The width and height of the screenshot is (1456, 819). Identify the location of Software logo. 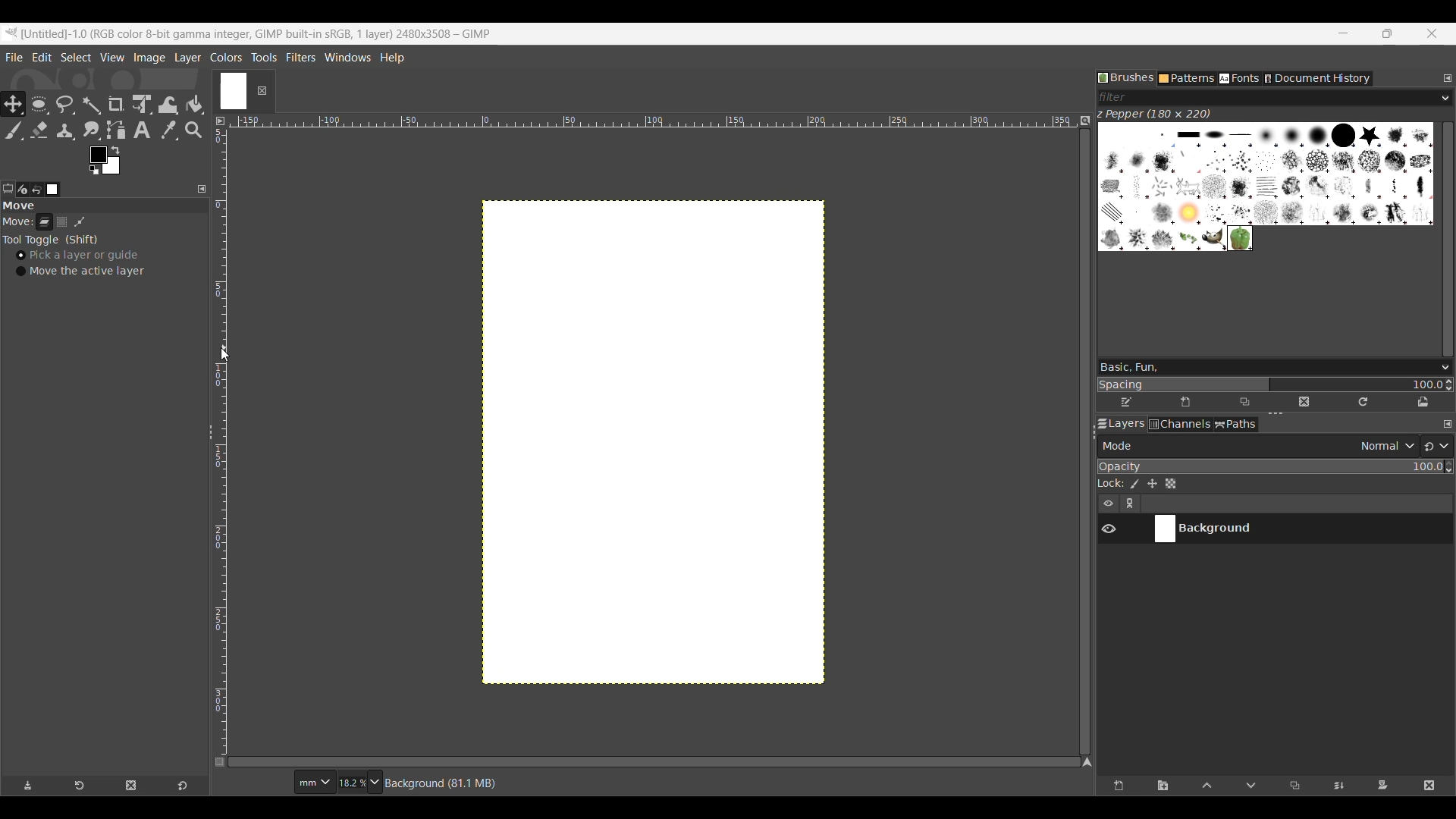
(11, 33).